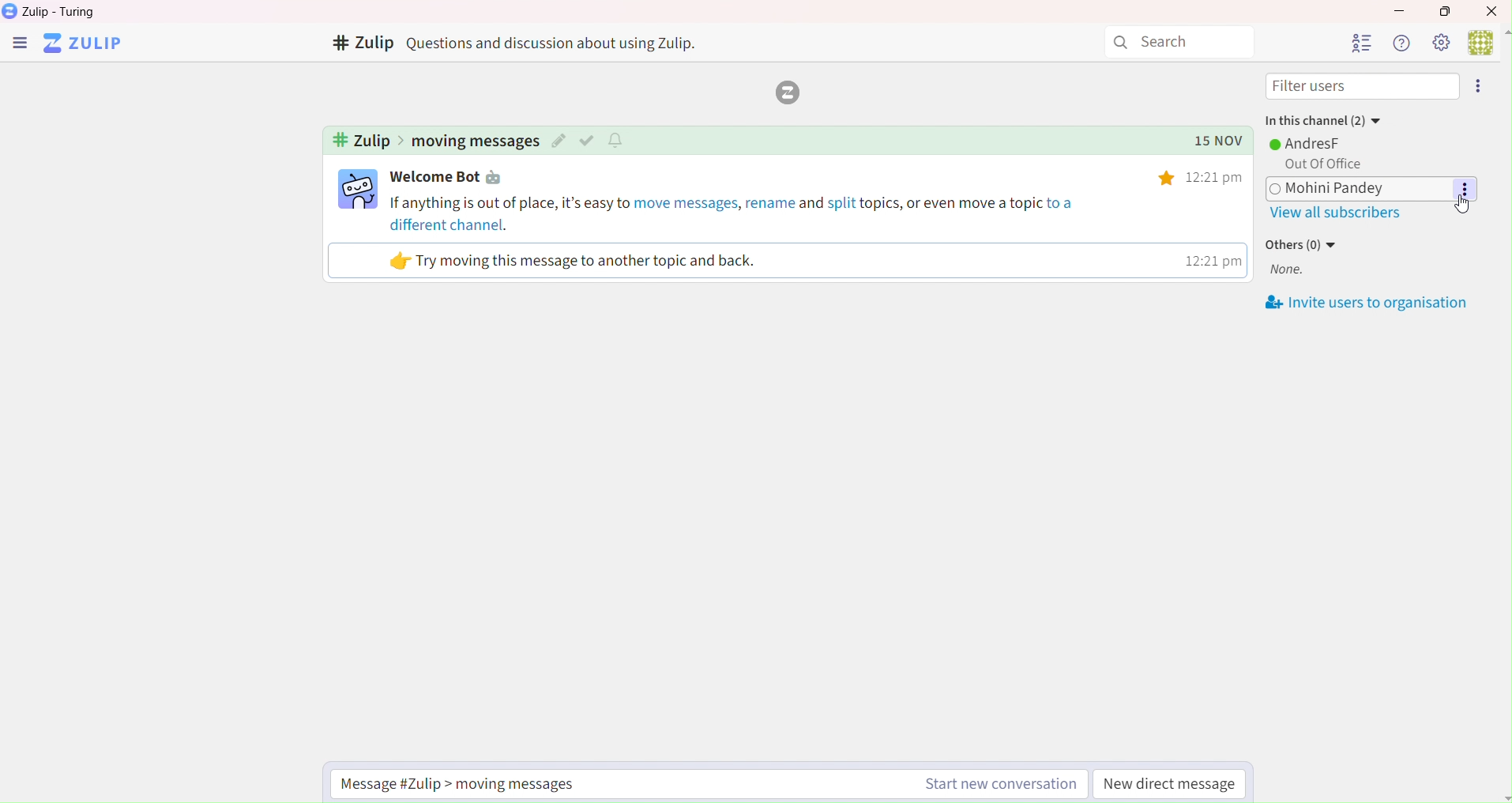 Image resolution: width=1512 pixels, height=803 pixels. What do you see at coordinates (559, 43) in the screenshot?
I see `Questions and discussion about using Zulip.` at bounding box center [559, 43].